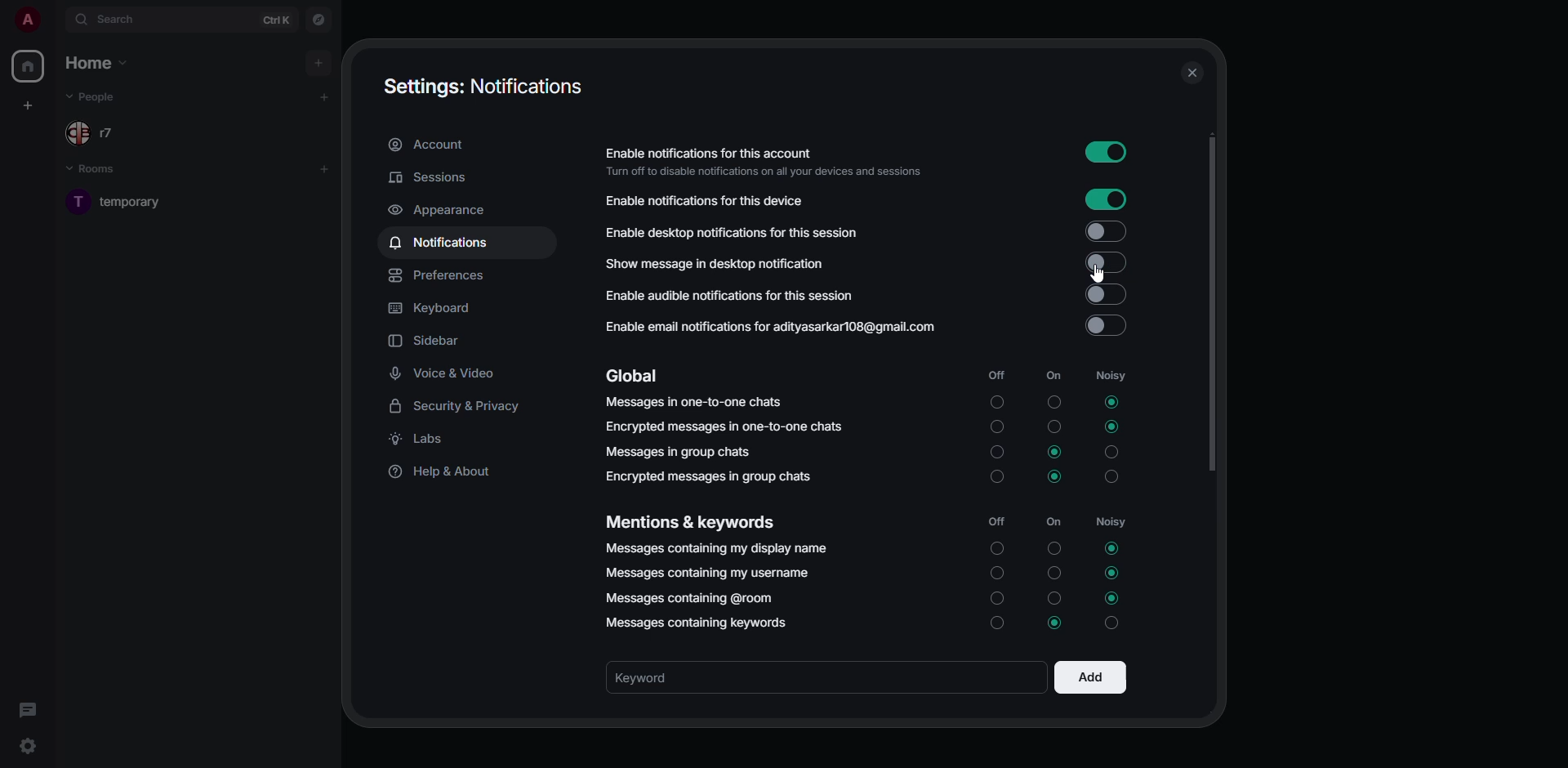 The image size is (1568, 768). I want to click on appearance, so click(439, 211).